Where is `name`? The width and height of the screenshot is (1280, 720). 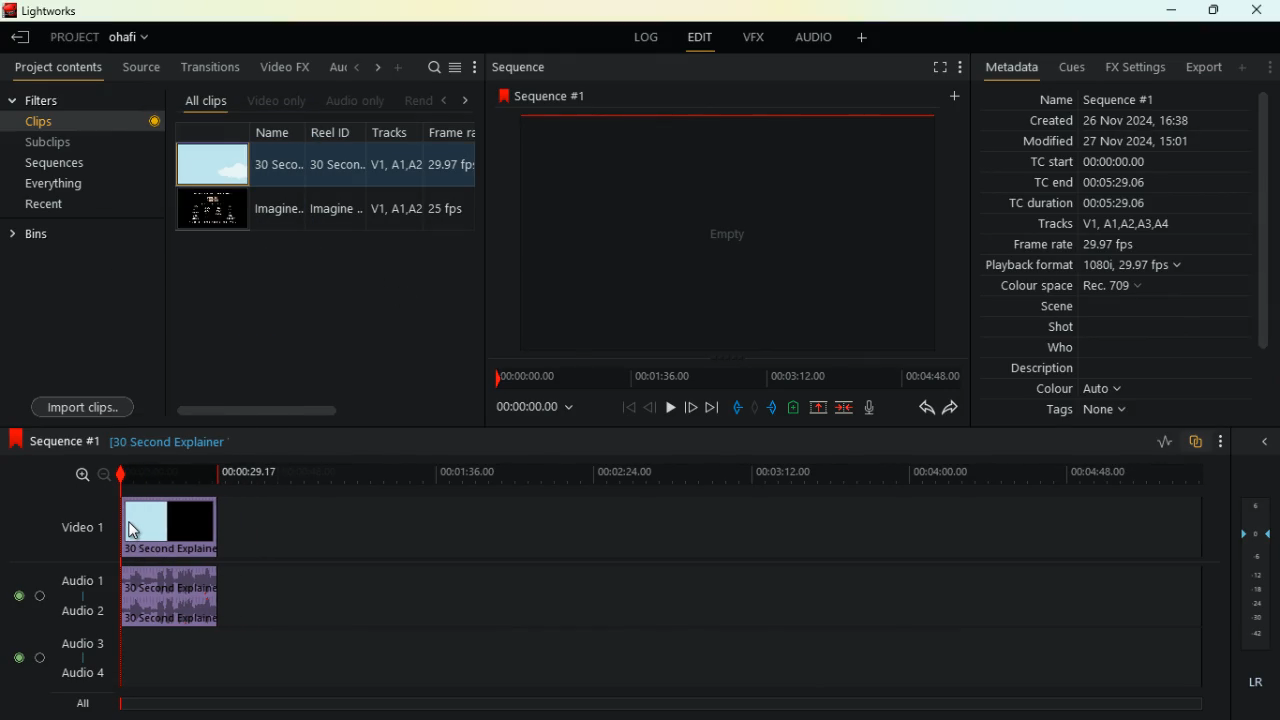
name is located at coordinates (1094, 101).